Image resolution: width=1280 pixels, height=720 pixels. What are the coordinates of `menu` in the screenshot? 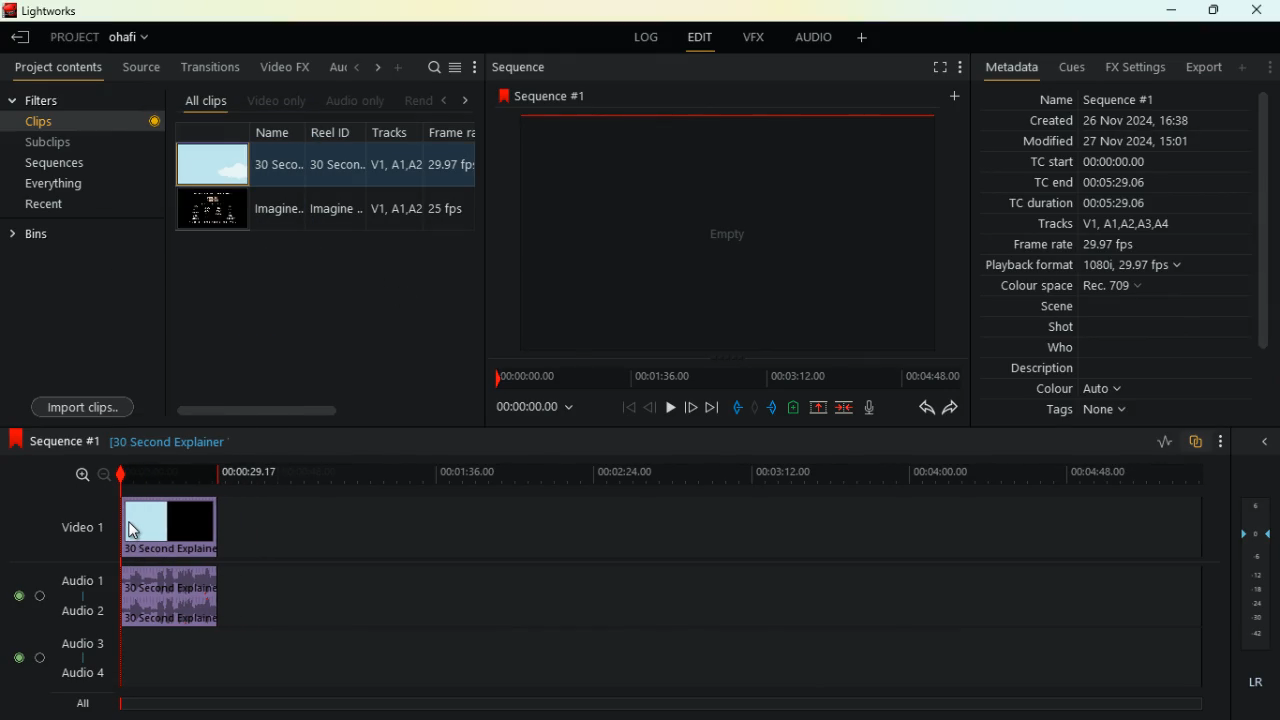 It's located at (456, 69).